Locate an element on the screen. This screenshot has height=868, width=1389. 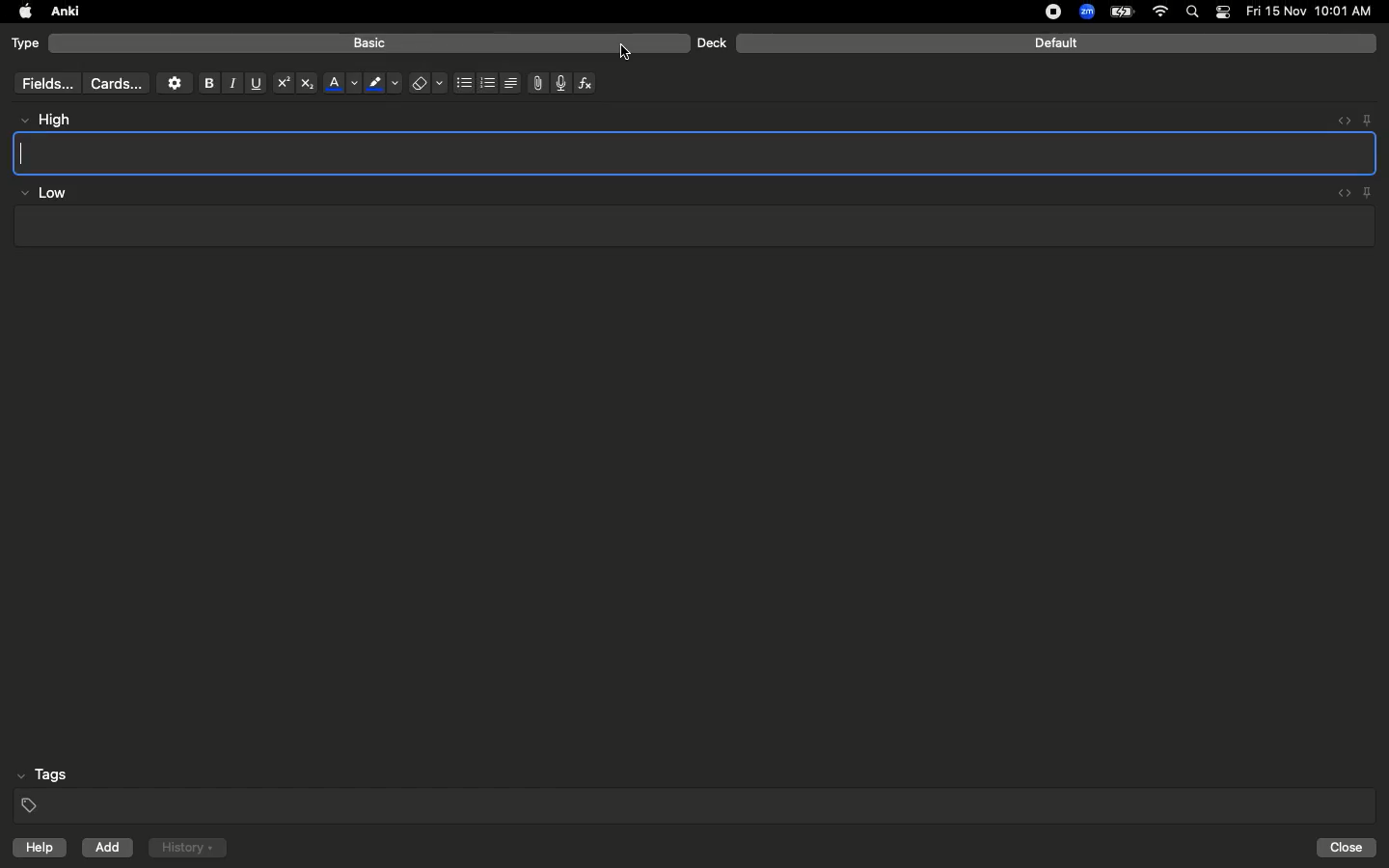
Numbered bullets is located at coordinates (488, 83).